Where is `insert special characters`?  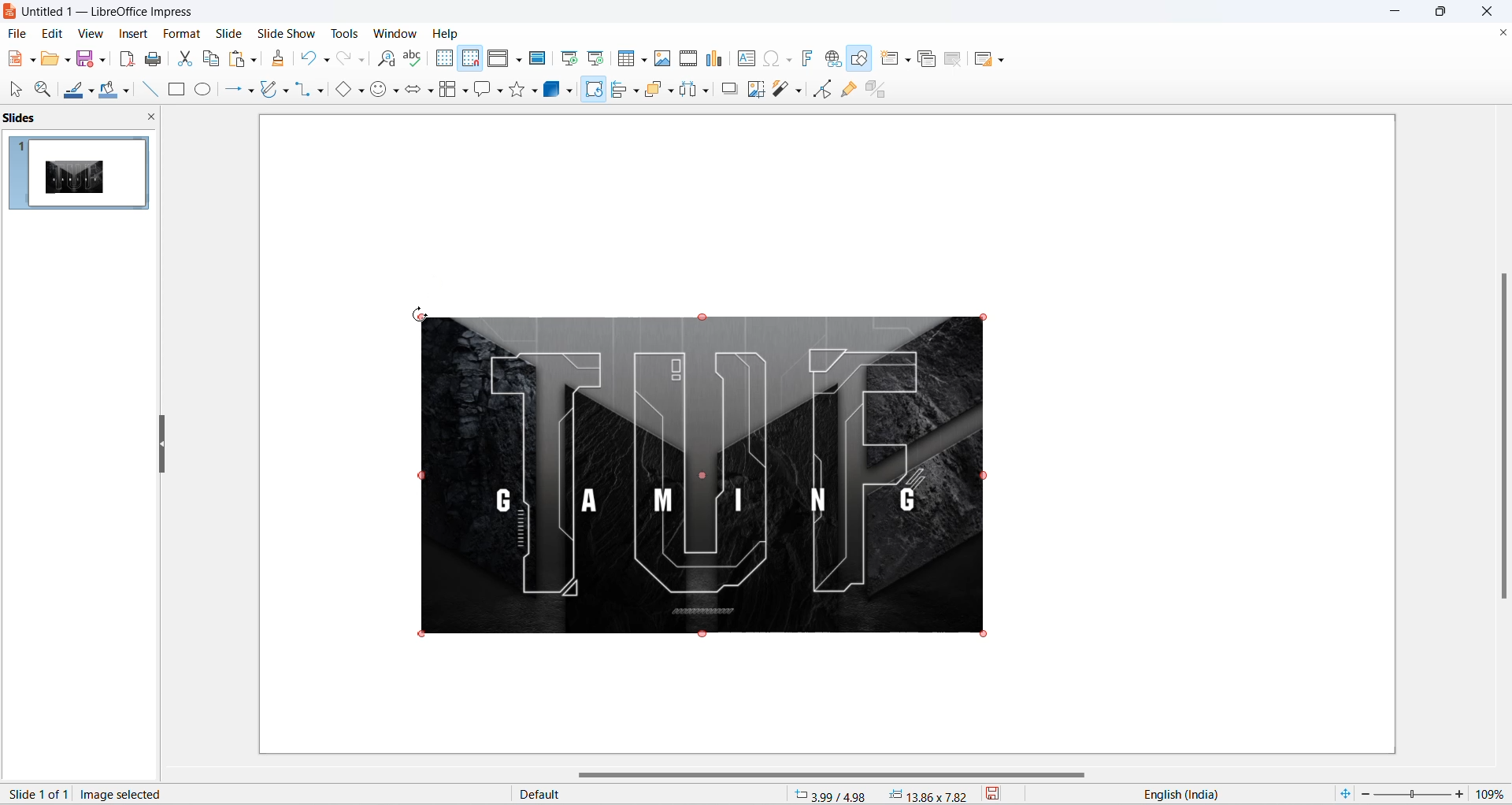 insert special characters is located at coordinates (769, 57).